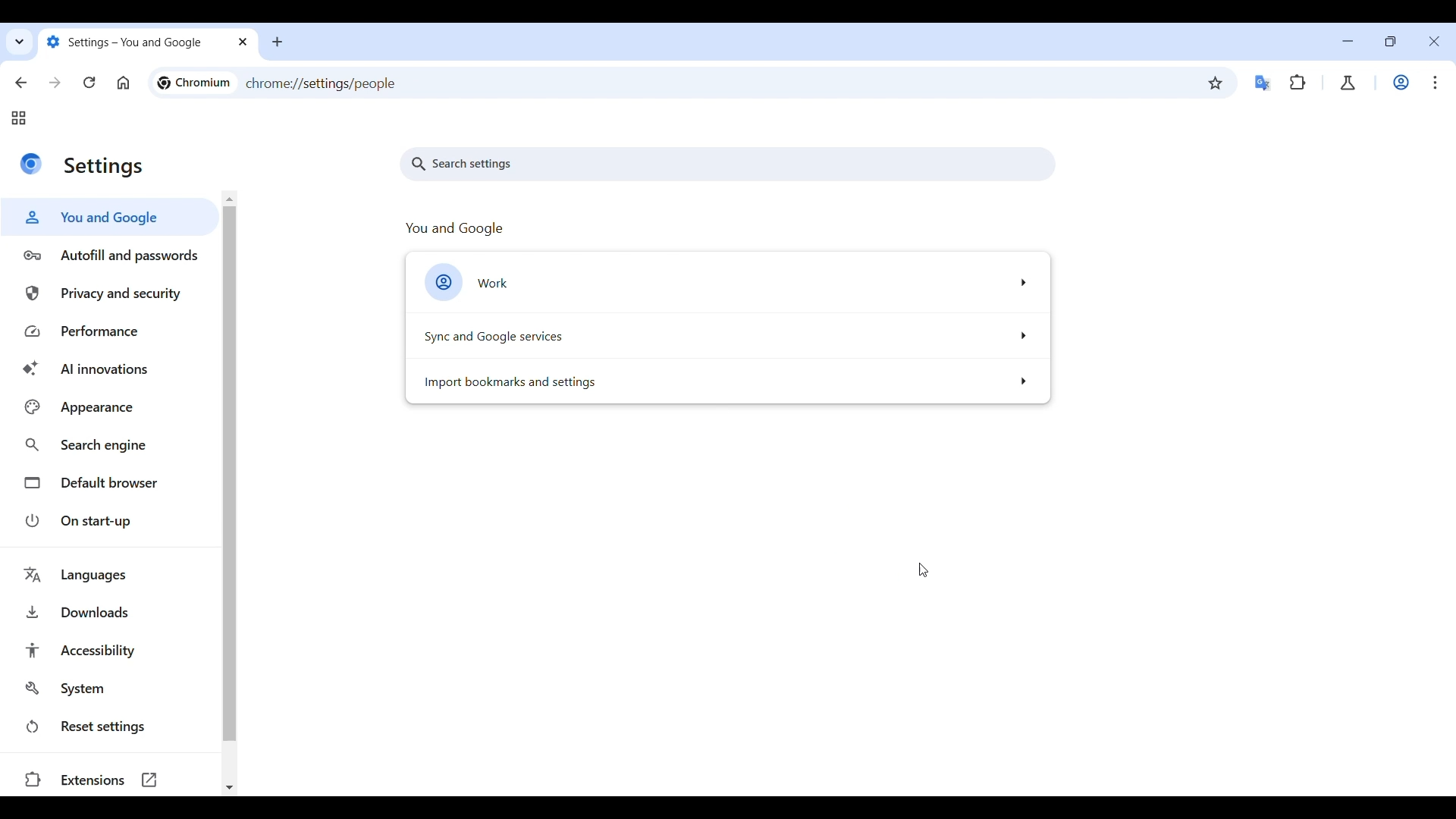  What do you see at coordinates (108, 217) in the screenshot?
I see `You and Google` at bounding box center [108, 217].